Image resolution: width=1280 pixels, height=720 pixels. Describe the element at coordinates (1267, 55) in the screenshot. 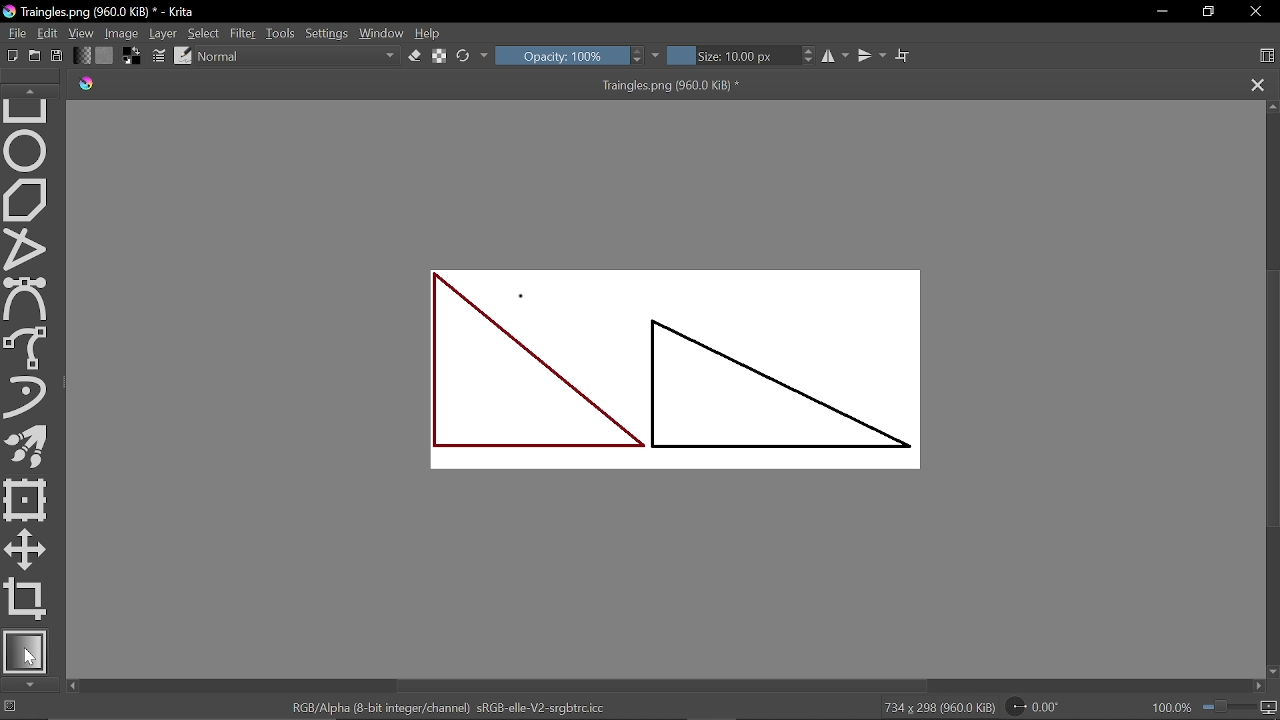

I see `Choose workspace` at that location.